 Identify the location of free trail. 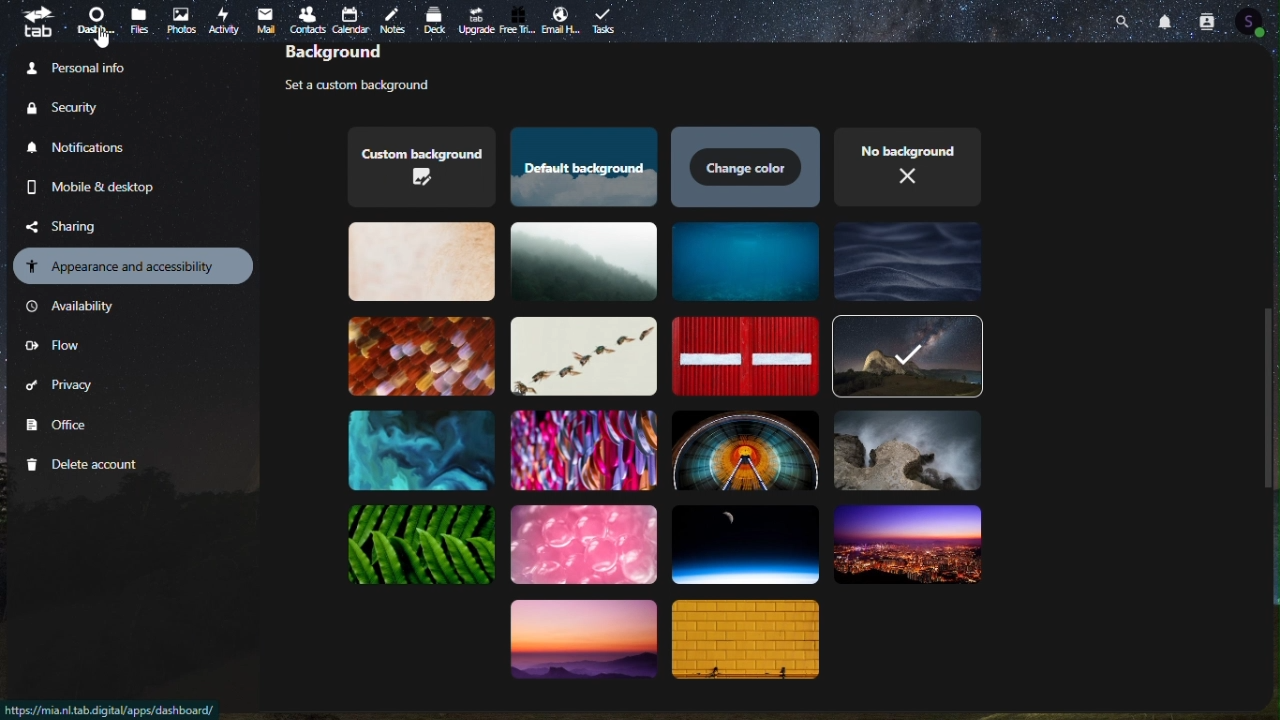
(518, 21).